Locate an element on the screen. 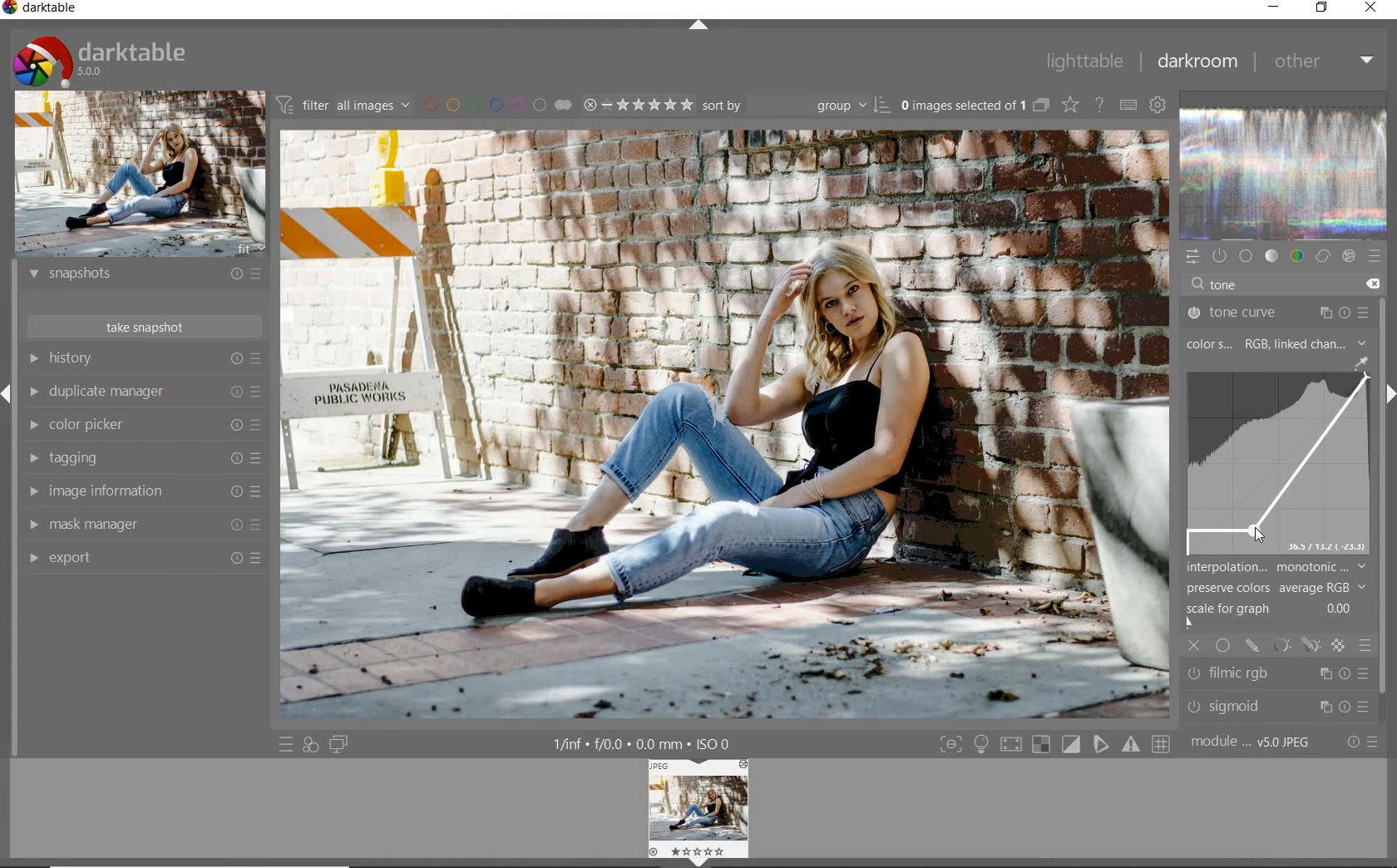  enable online help is located at coordinates (1100, 106).